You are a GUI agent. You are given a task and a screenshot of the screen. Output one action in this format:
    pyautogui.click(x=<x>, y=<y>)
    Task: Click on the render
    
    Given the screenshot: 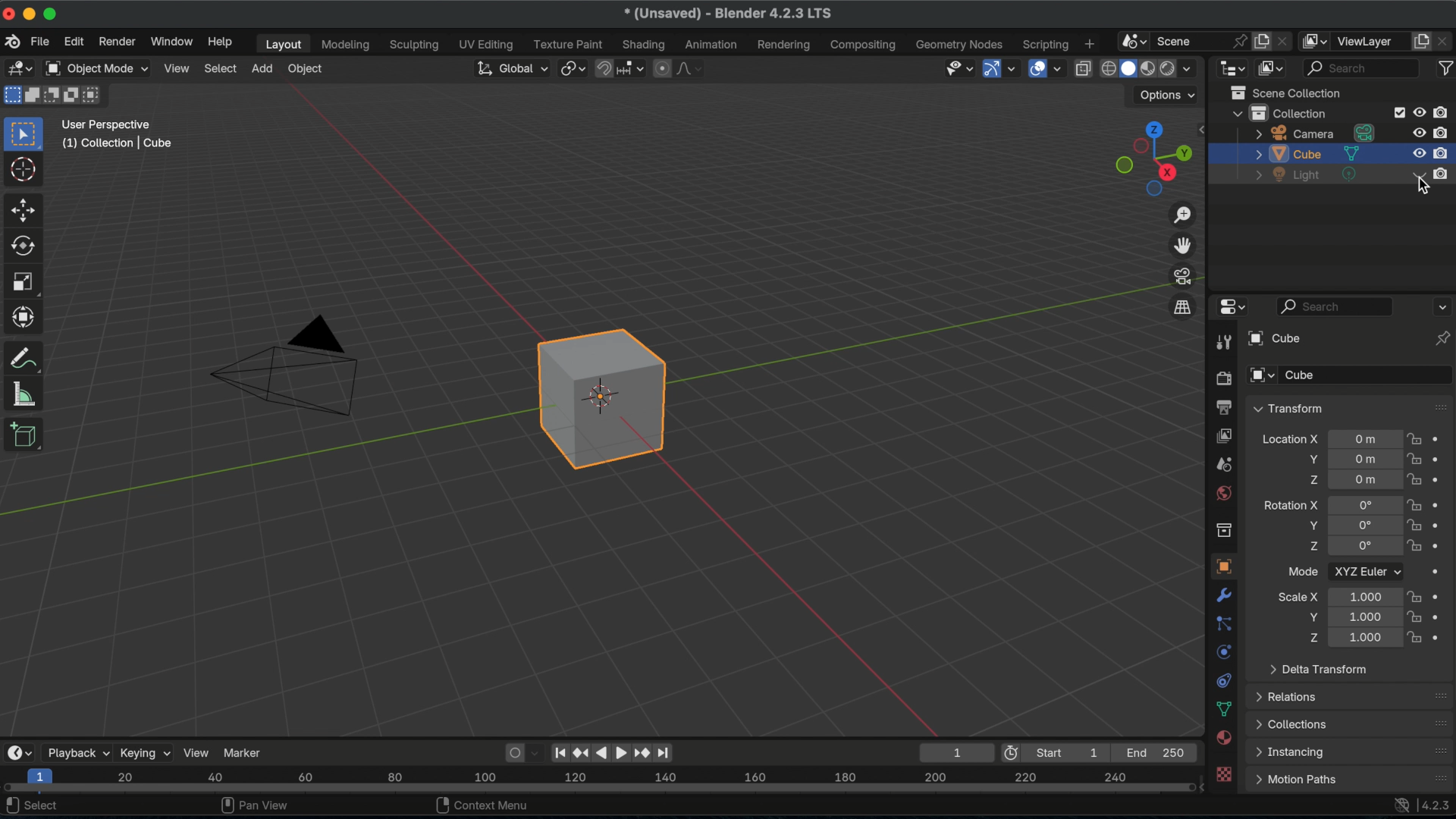 What is the action you would take?
    pyautogui.click(x=1225, y=378)
    